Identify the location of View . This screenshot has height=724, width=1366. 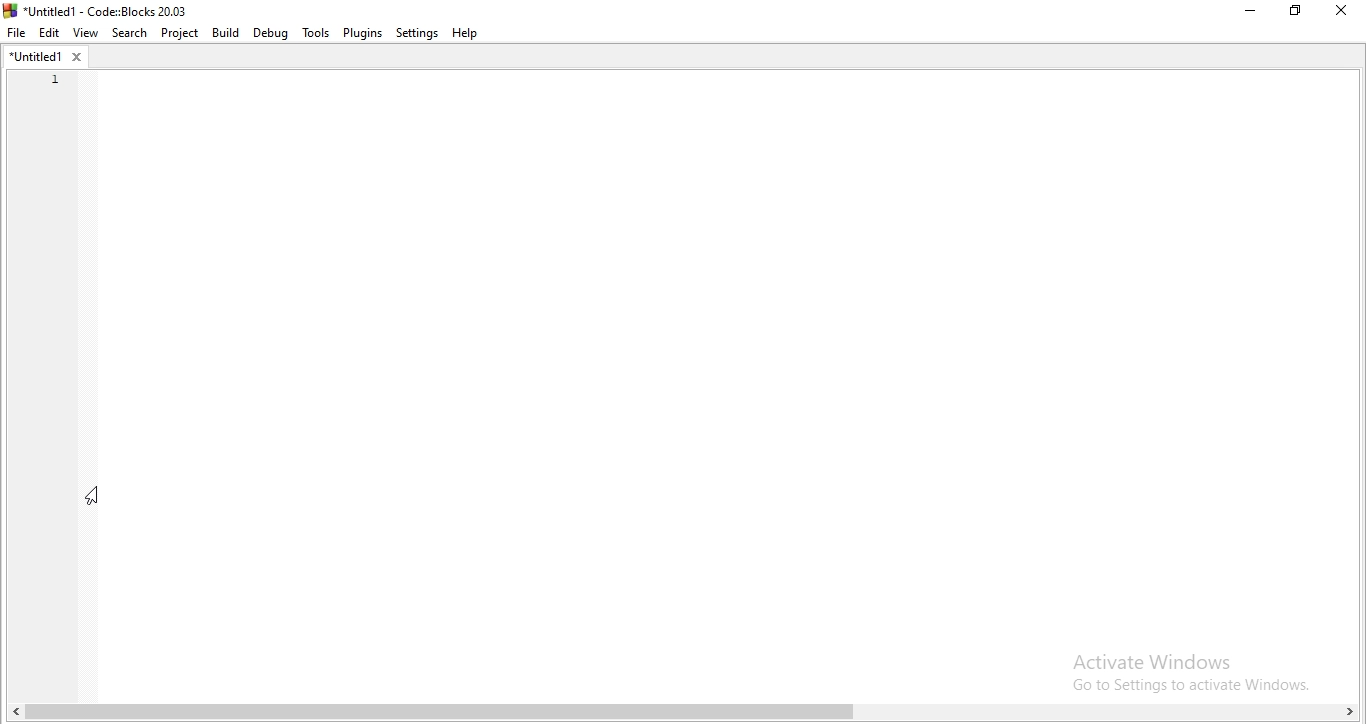
(83, 33).